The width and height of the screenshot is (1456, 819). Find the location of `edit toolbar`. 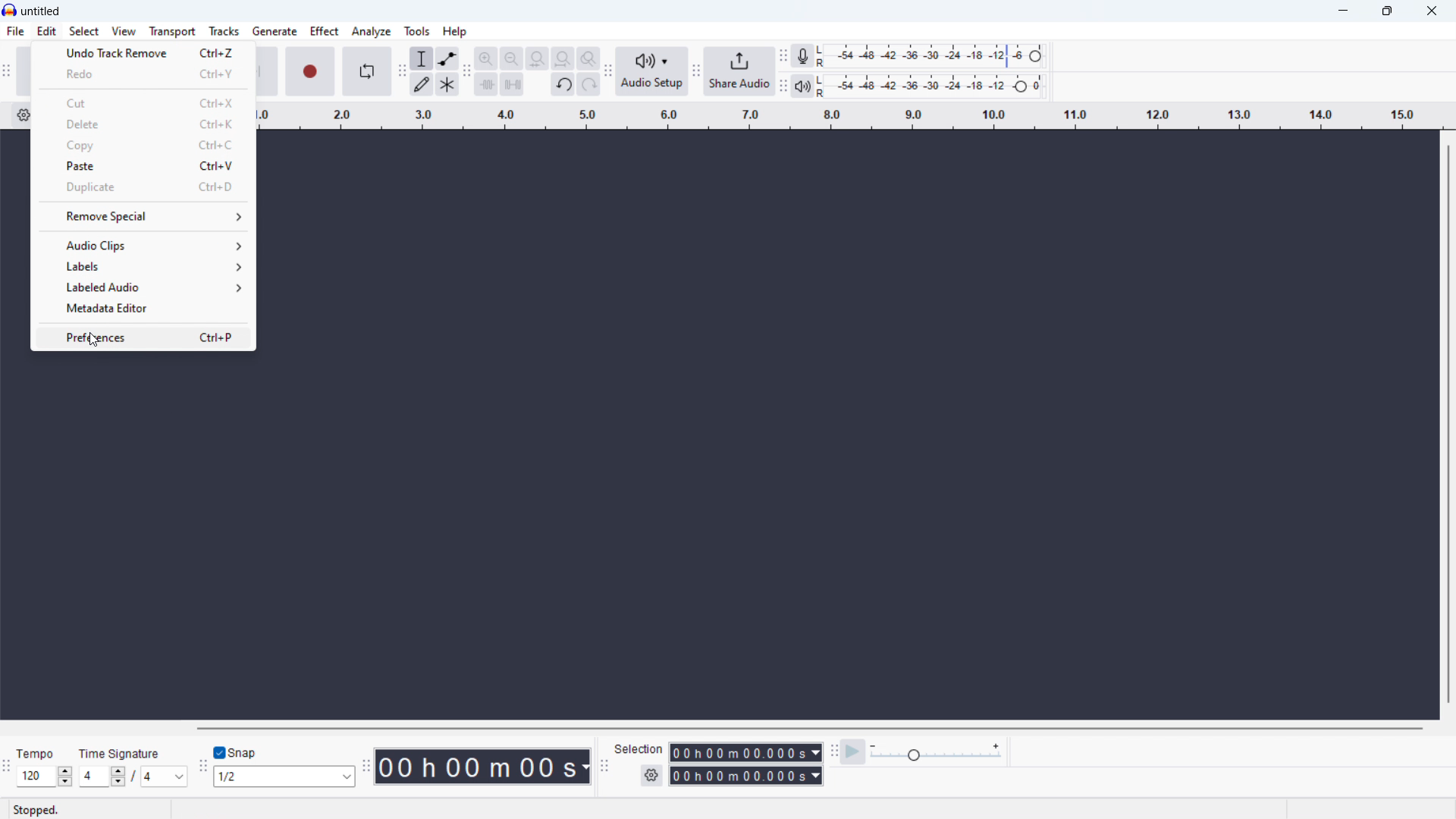

edit toolbar is located at coordinates (466, 74).